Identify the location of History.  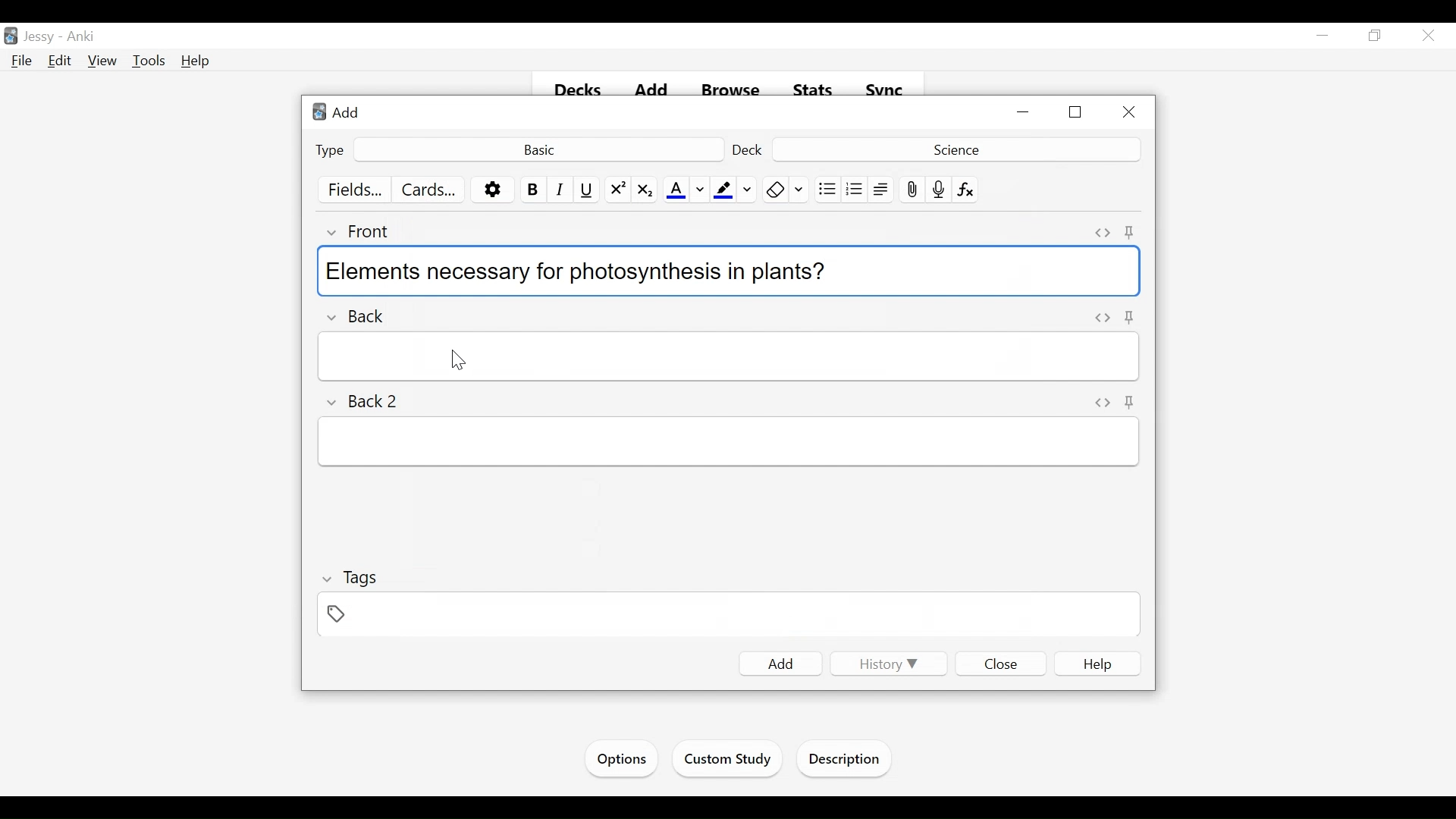
(886, 664).